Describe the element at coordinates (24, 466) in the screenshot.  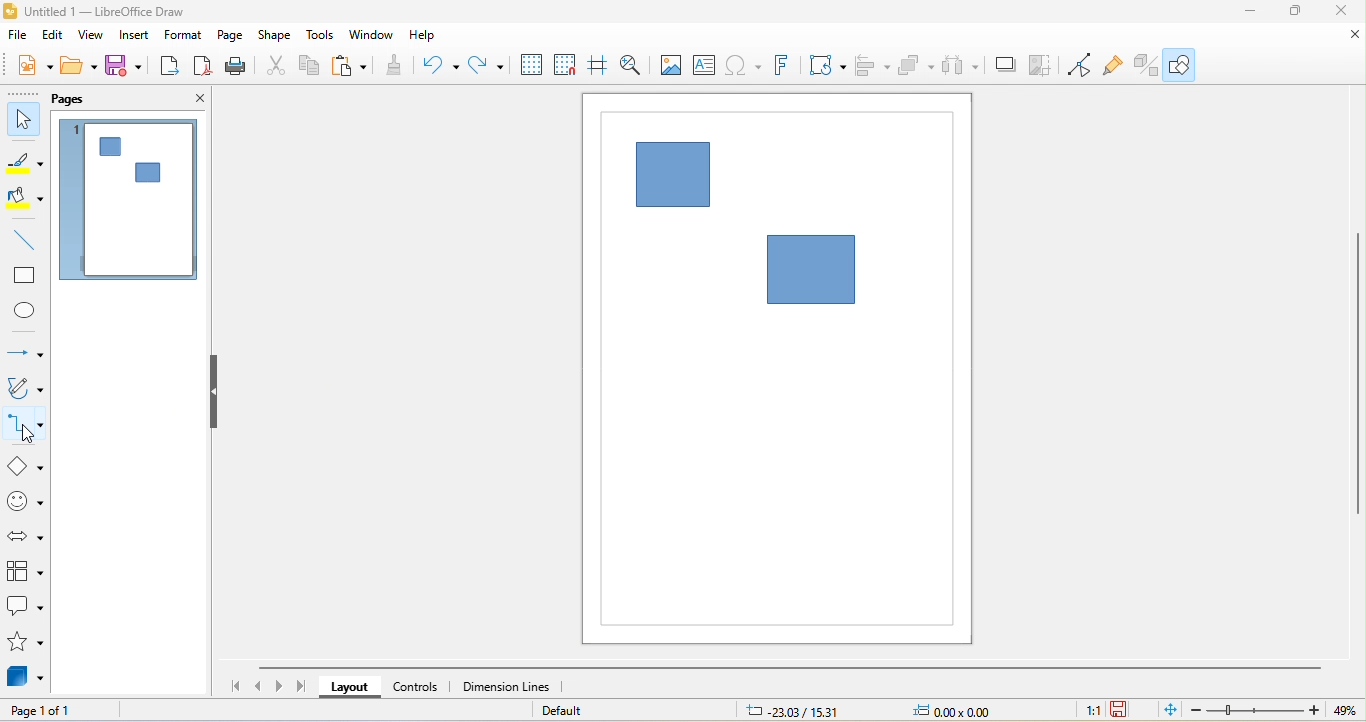
I see `basic shapes` at that location.